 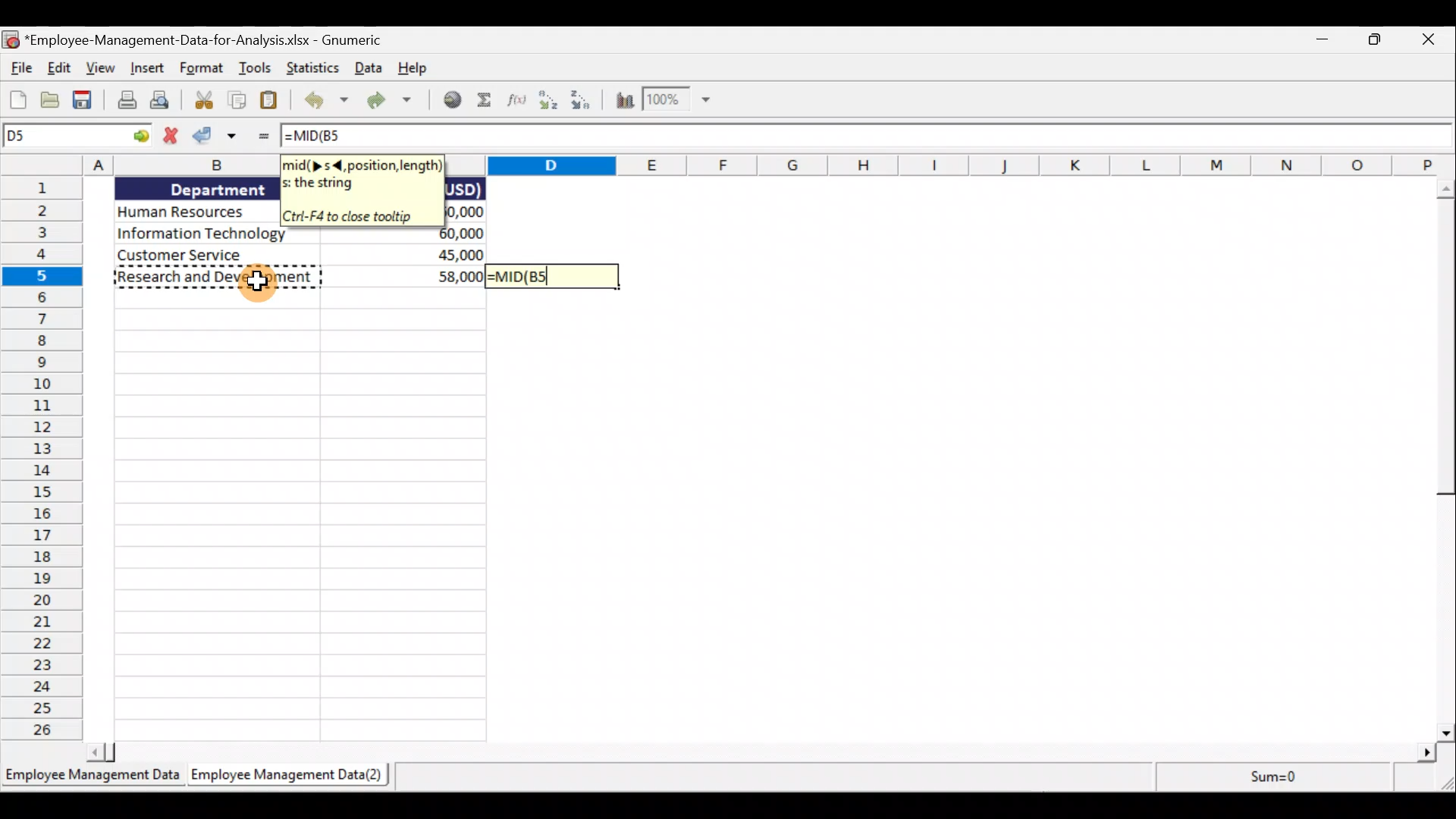 I want to click on Save the current workbook, so click(x=81, y=99).